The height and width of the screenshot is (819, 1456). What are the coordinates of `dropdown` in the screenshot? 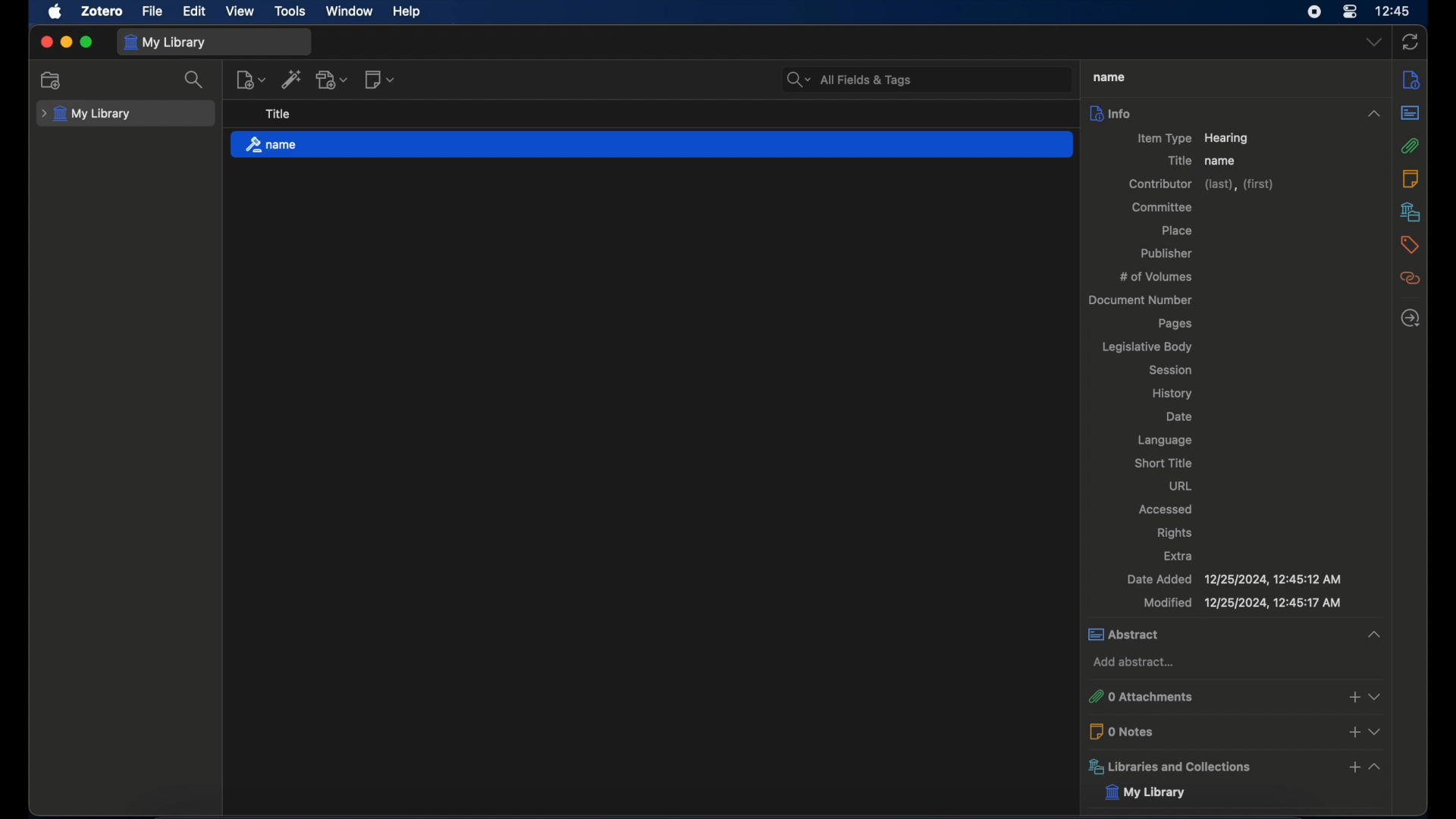 It's located at (1374, 41).